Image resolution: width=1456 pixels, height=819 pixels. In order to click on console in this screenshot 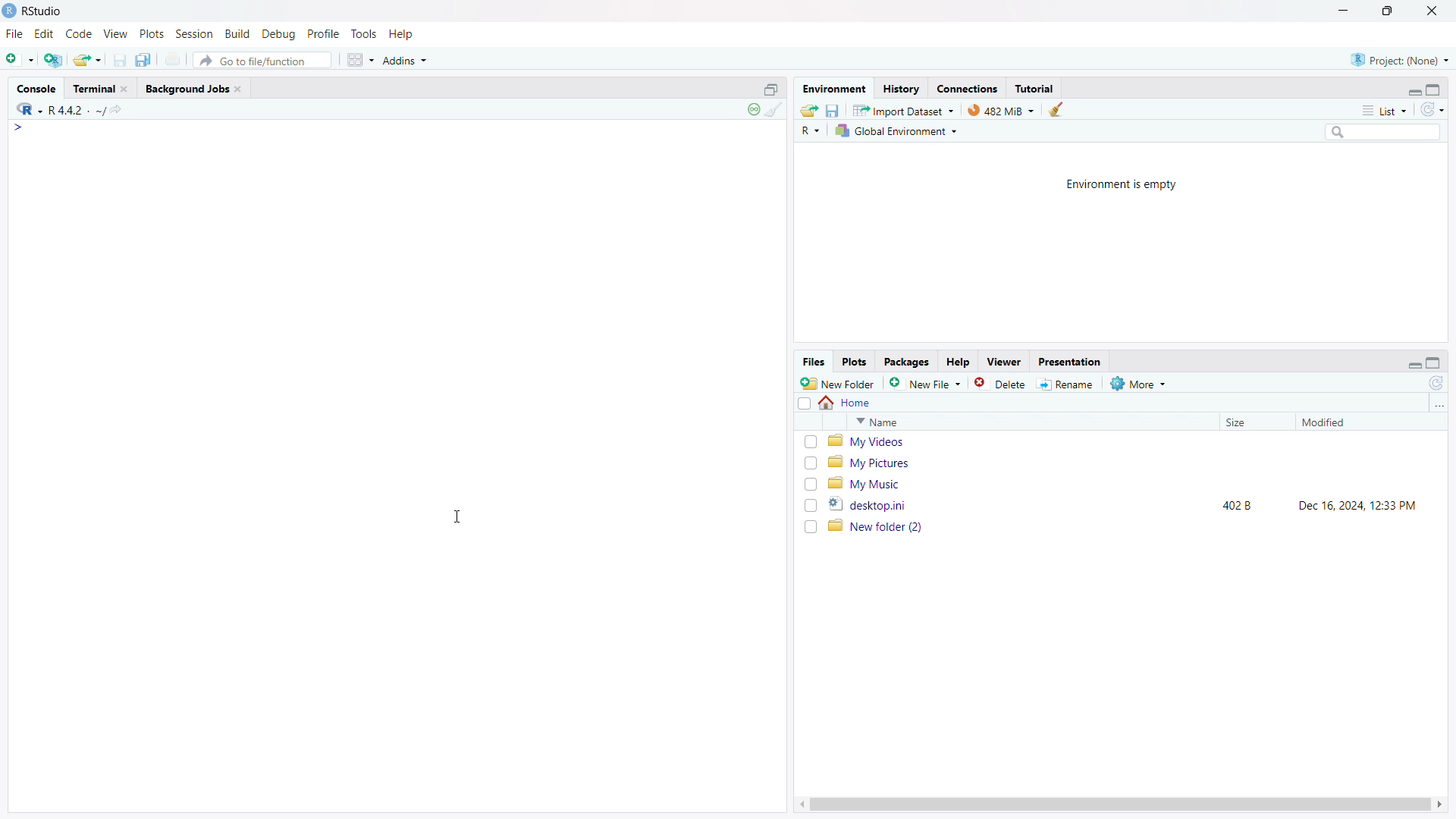, I will do `click(36, 89)`.